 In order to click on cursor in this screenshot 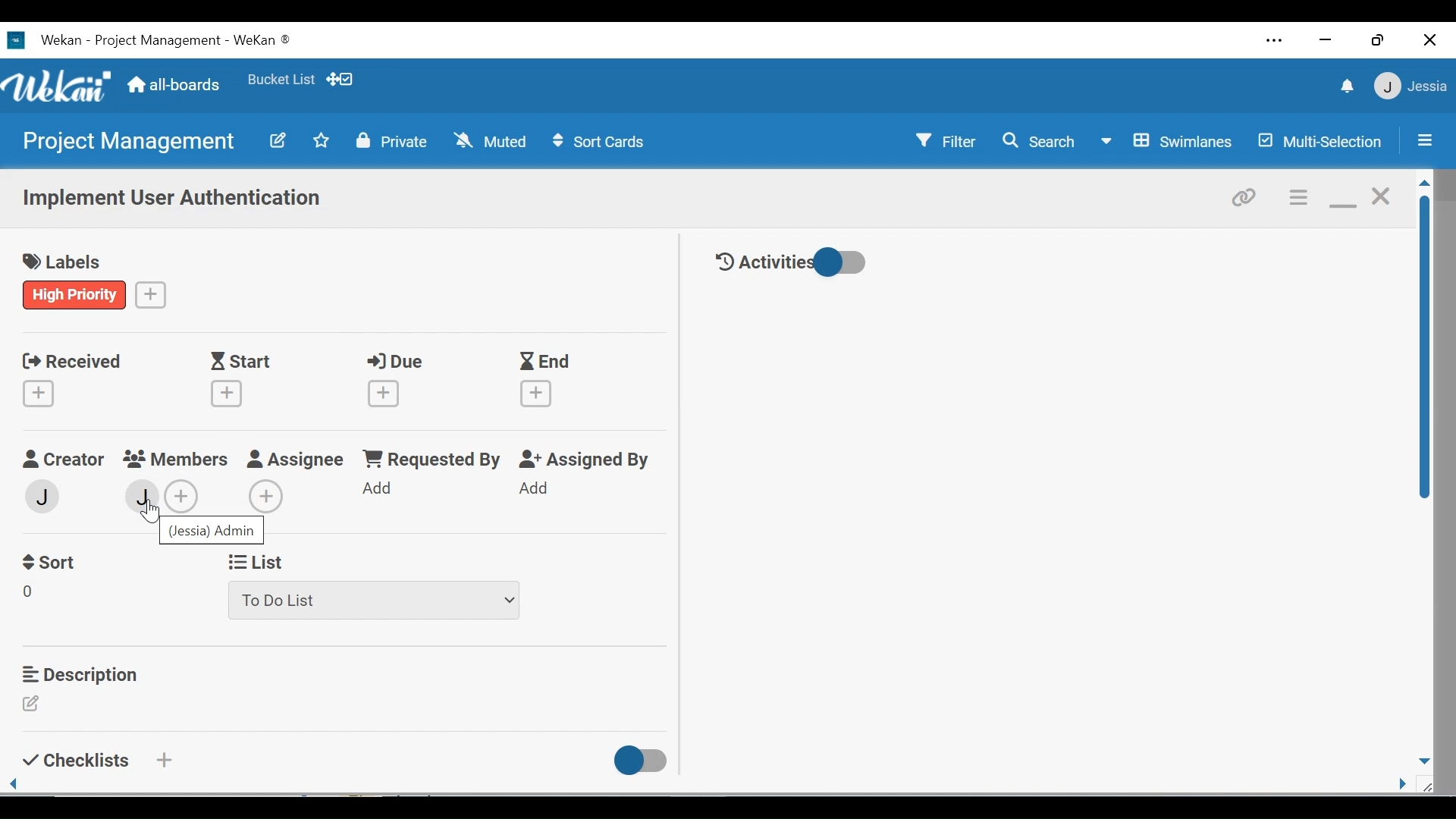, I will do `click(153, 518)`.